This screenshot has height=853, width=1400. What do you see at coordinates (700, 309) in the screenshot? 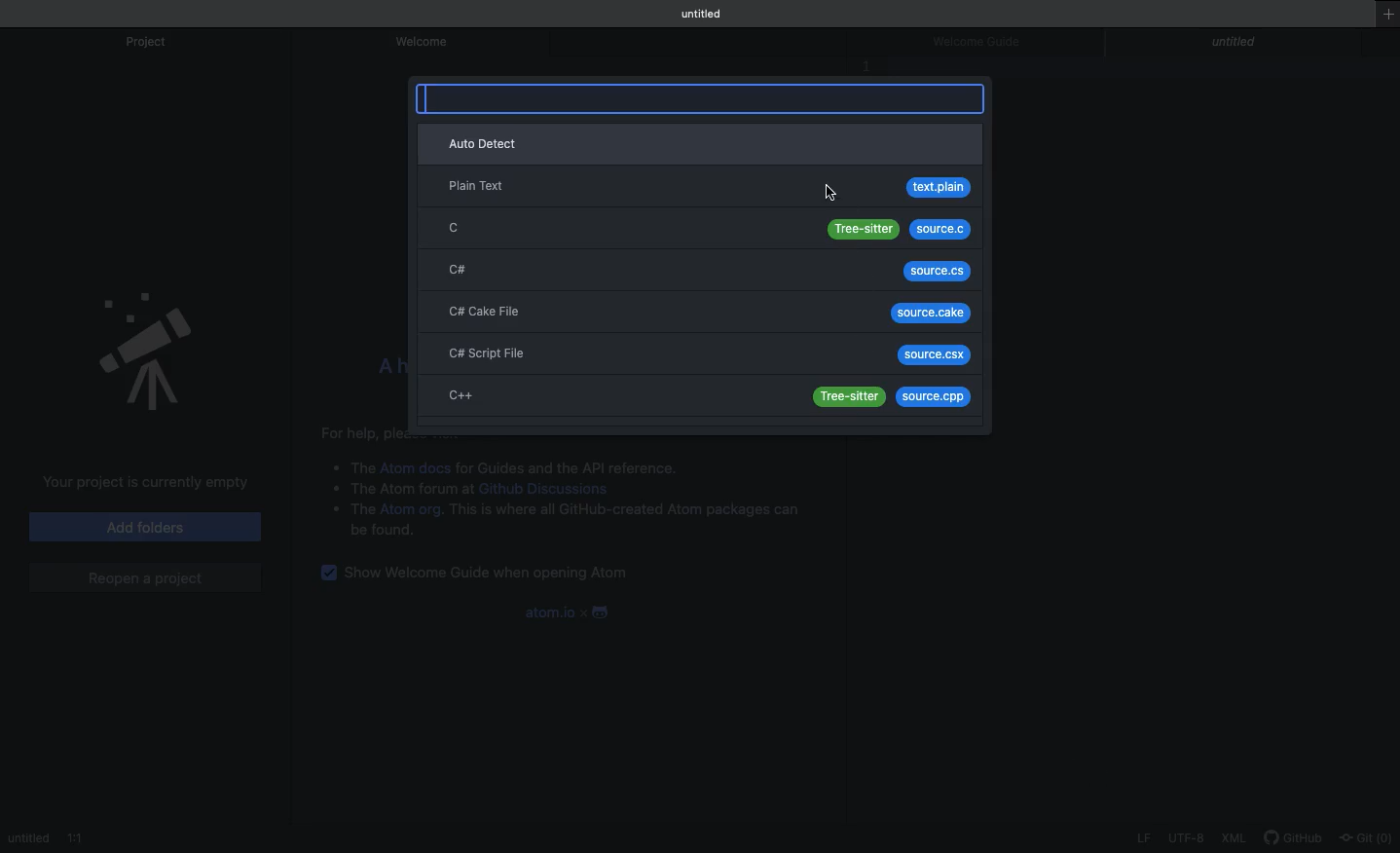
I see `C# Cake File  -coding` at bounding box center [700, 309].